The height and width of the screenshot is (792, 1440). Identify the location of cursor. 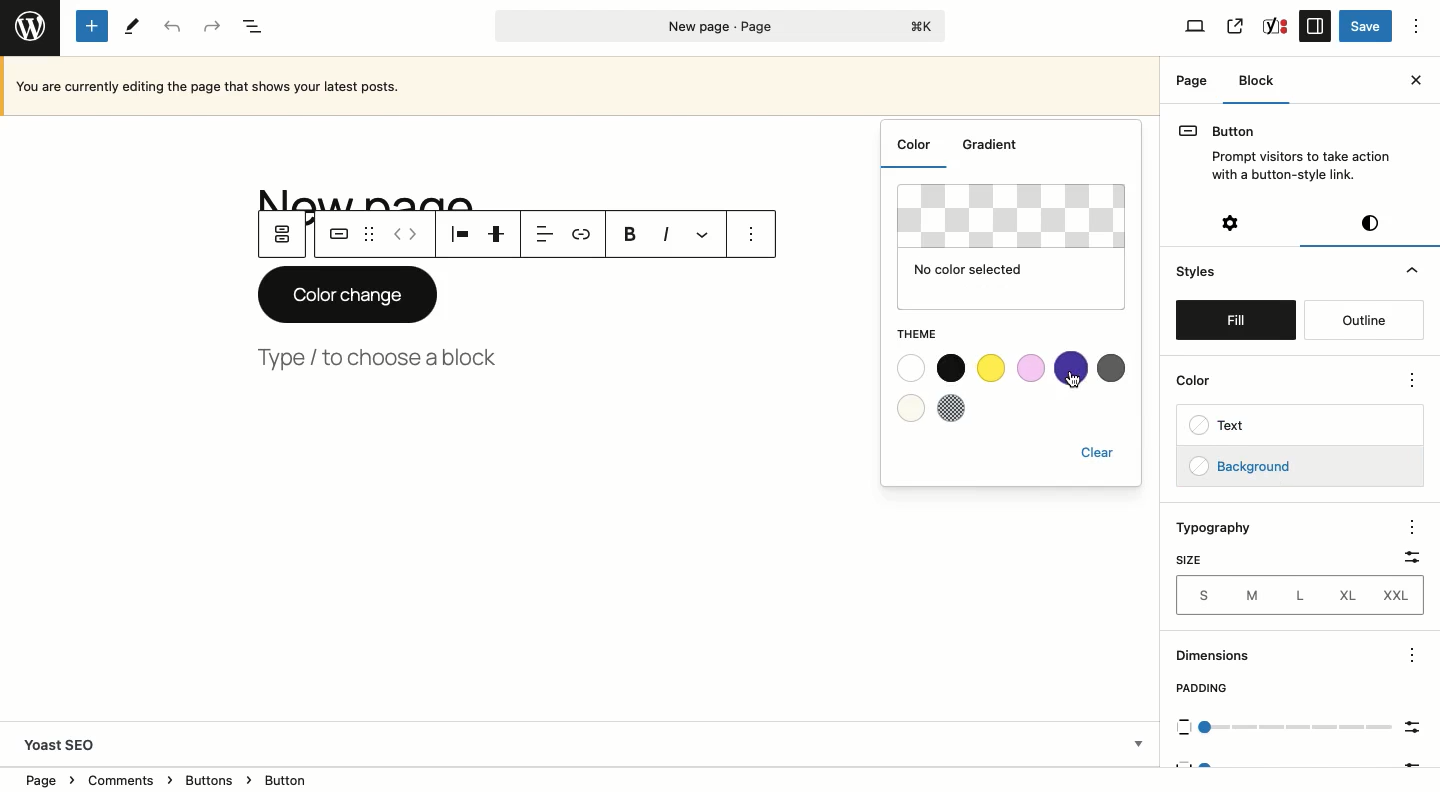
(1074, 381).